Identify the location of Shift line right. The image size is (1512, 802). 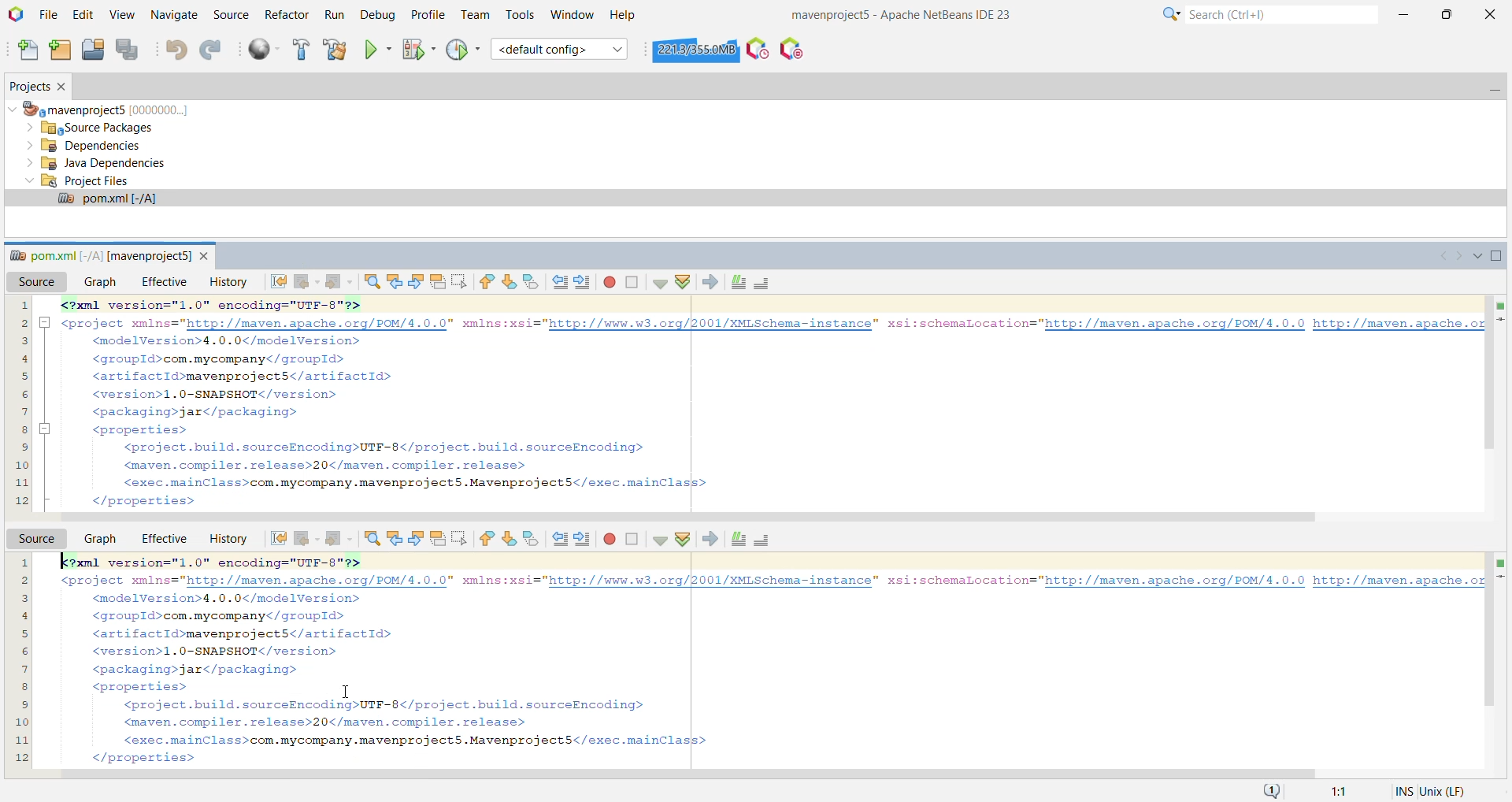
(583, 282).